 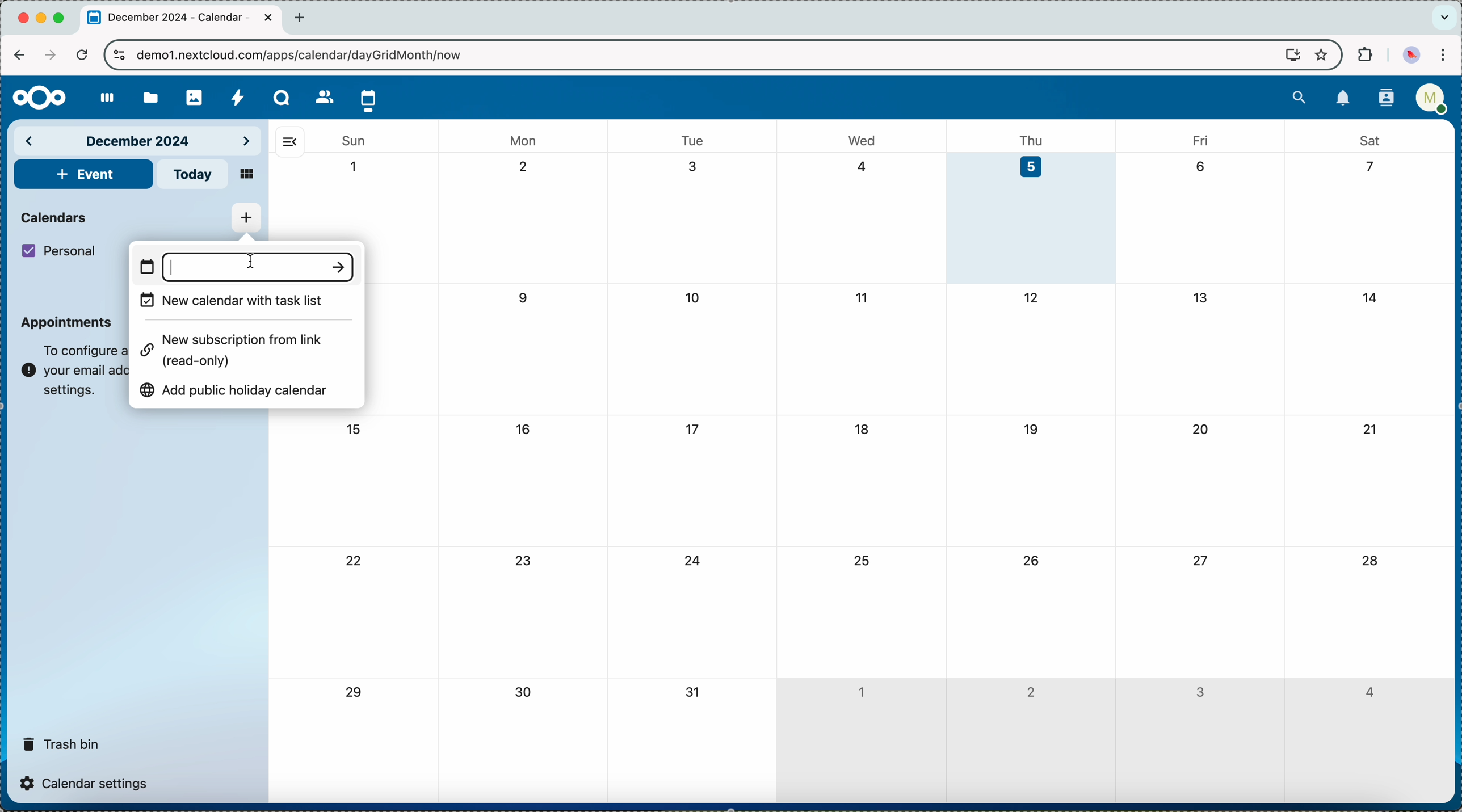 What do you see at coordinates (694, 299) in the screenshot?
I see `10` at bounding box center [694, 299].